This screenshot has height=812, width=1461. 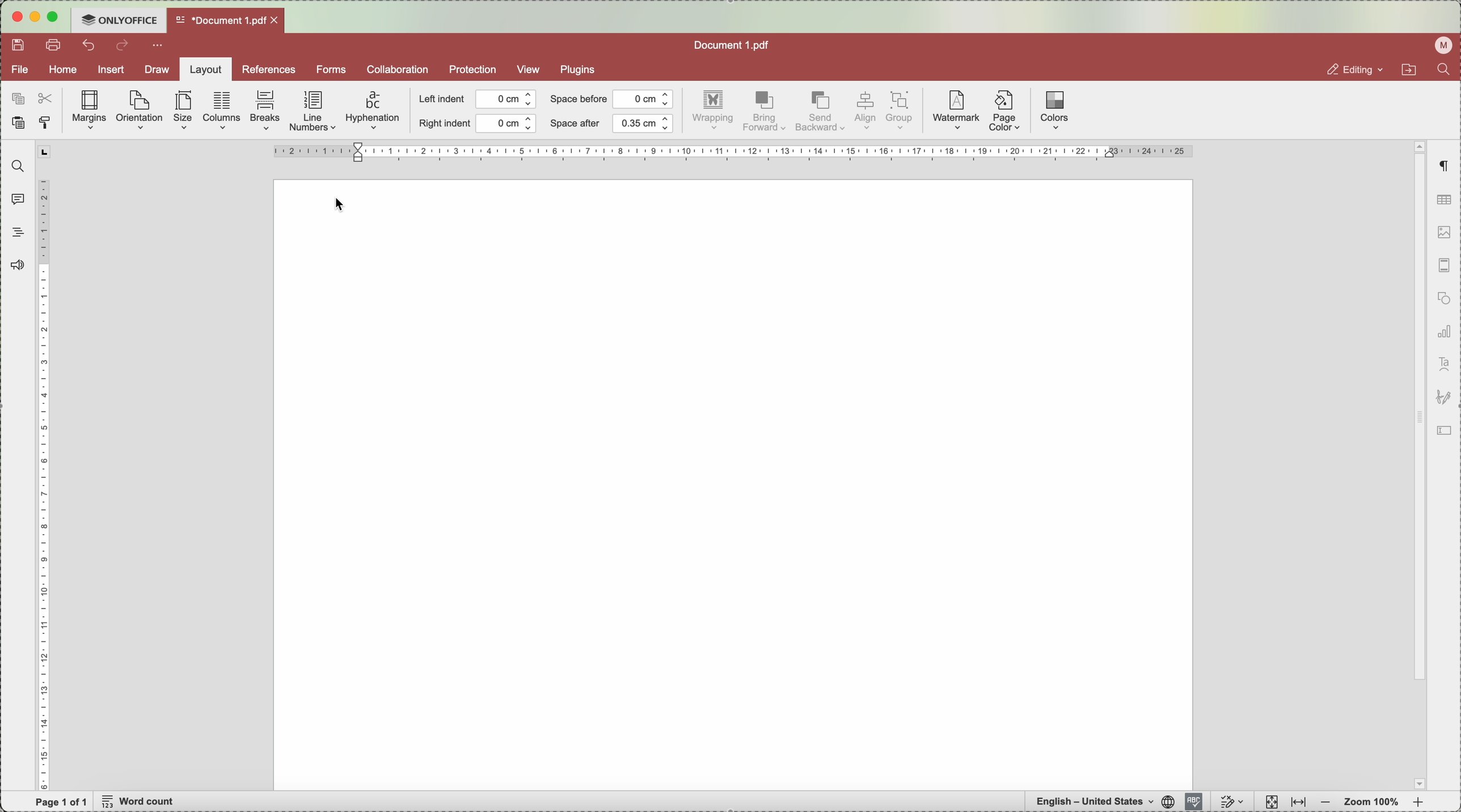 What do you see at coordinates (1344, 69) in the screenshot?
I see `editing` at bounding box center [1344, 69].